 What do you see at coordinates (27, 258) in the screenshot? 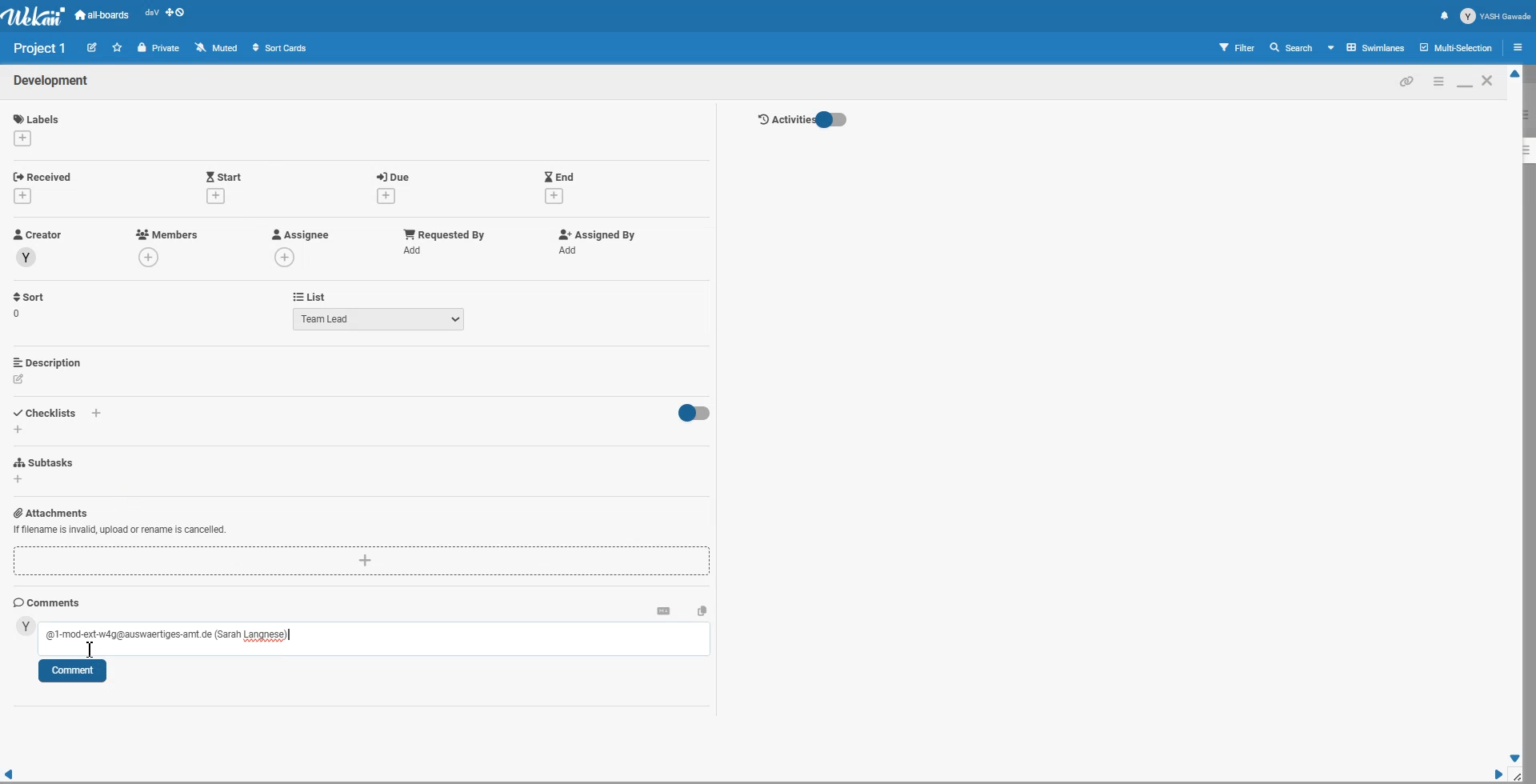
I see `avatar` at bounding box center [27, 258].